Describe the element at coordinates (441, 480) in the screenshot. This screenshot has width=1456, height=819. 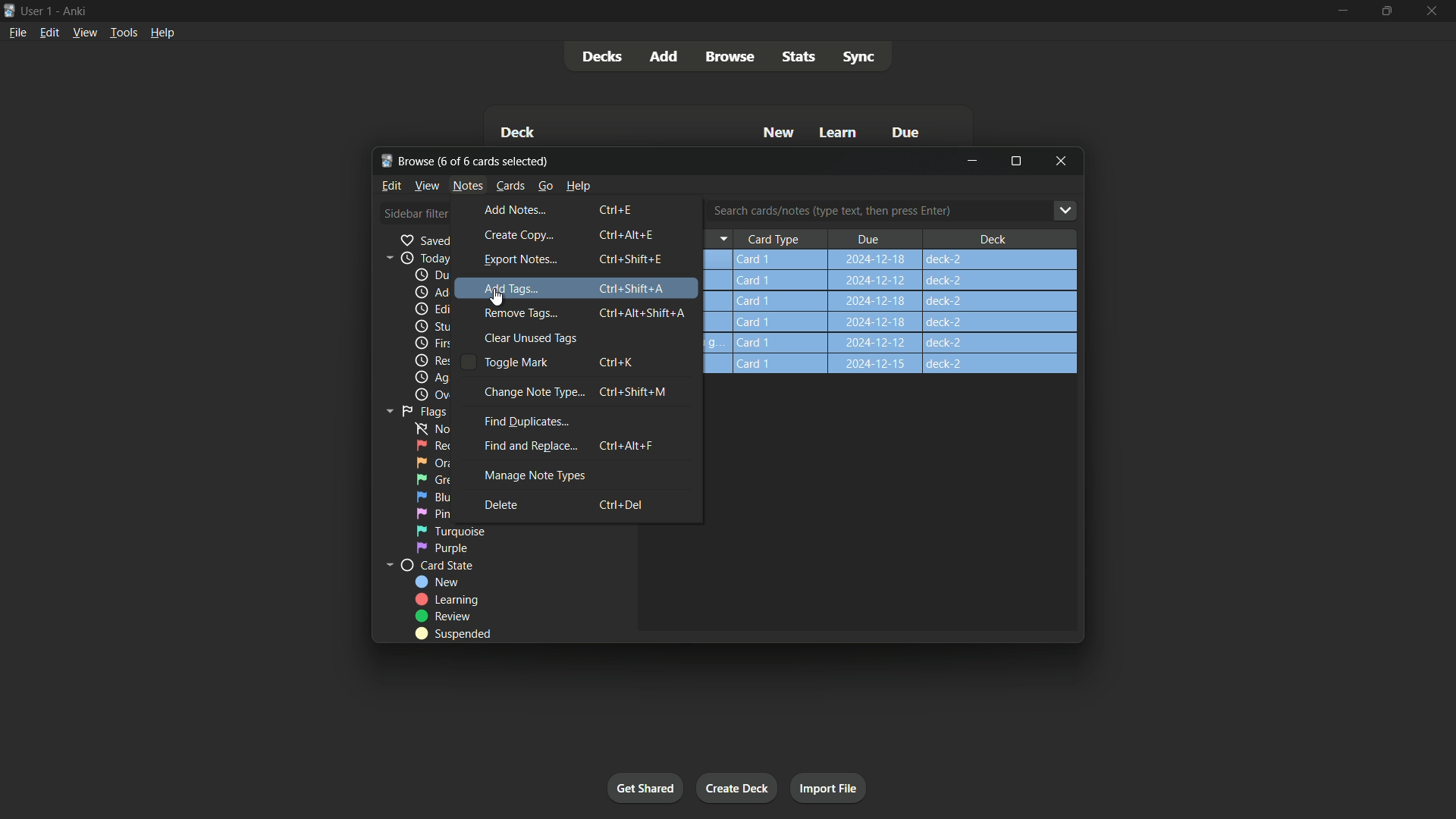
I see `green` at that location.